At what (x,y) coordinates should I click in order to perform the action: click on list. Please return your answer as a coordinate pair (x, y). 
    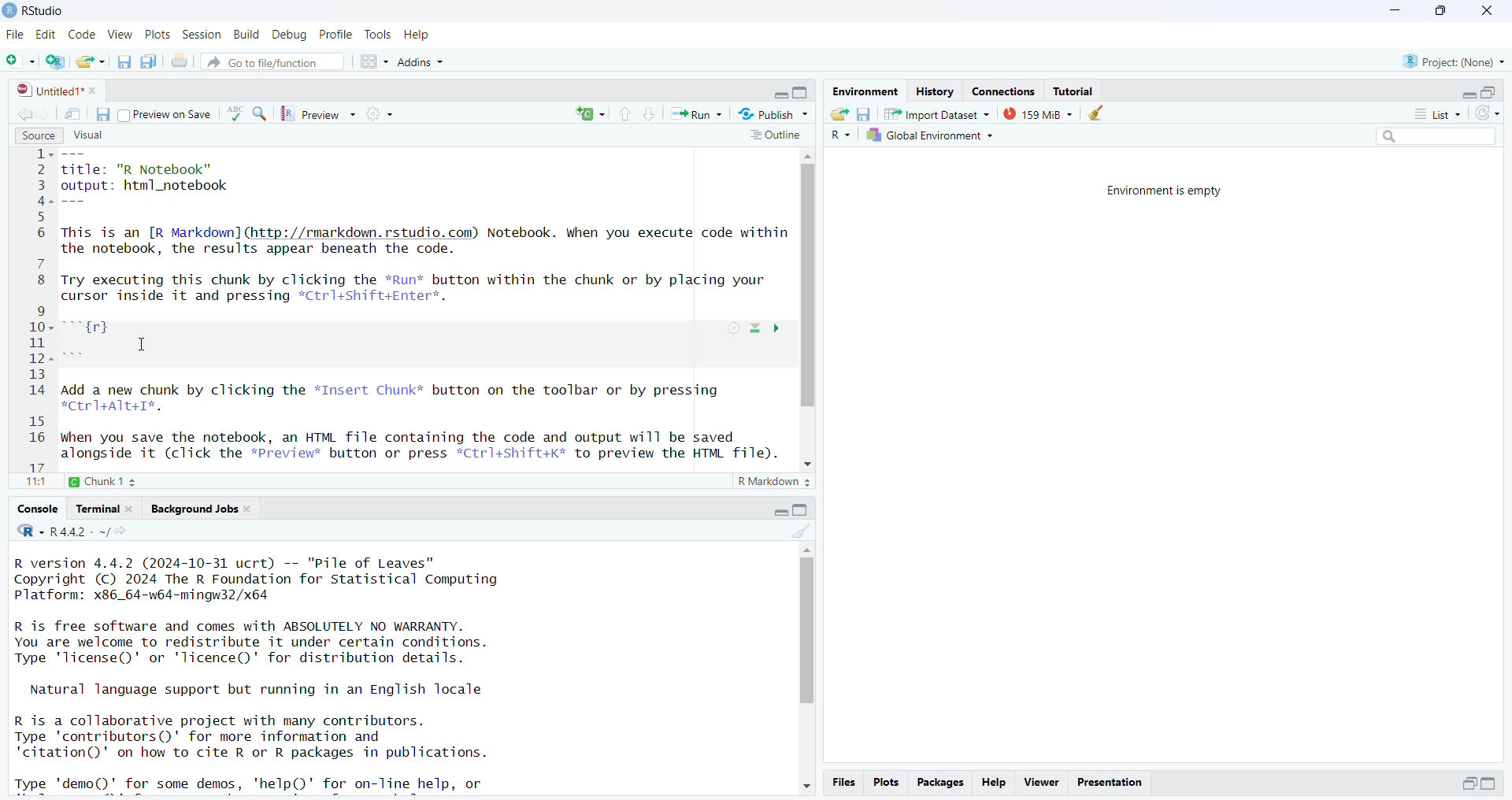
    Looking at the image, I should click on (1430, 113).